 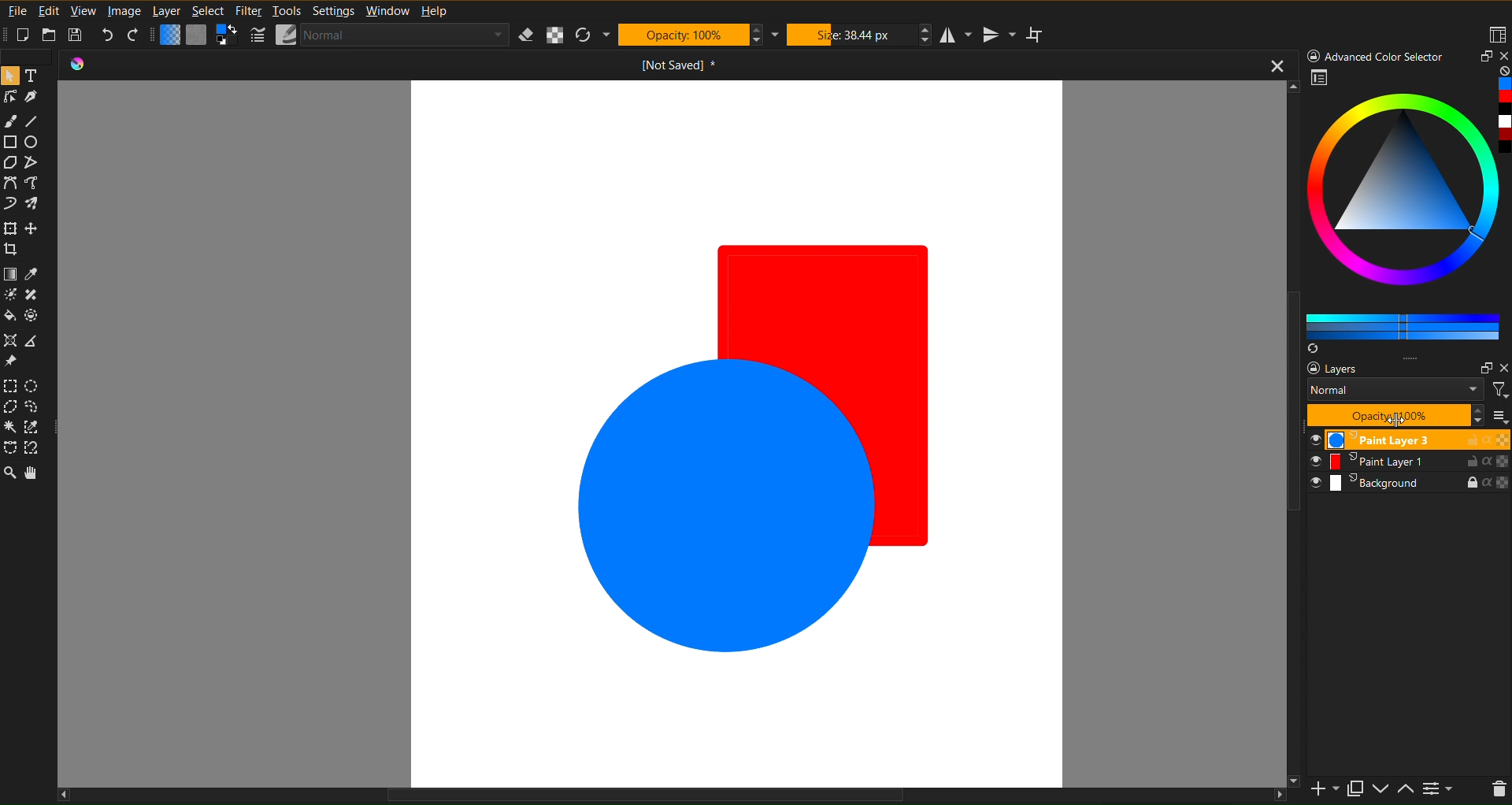 I want to click on Save, so click(x=78, y=35).